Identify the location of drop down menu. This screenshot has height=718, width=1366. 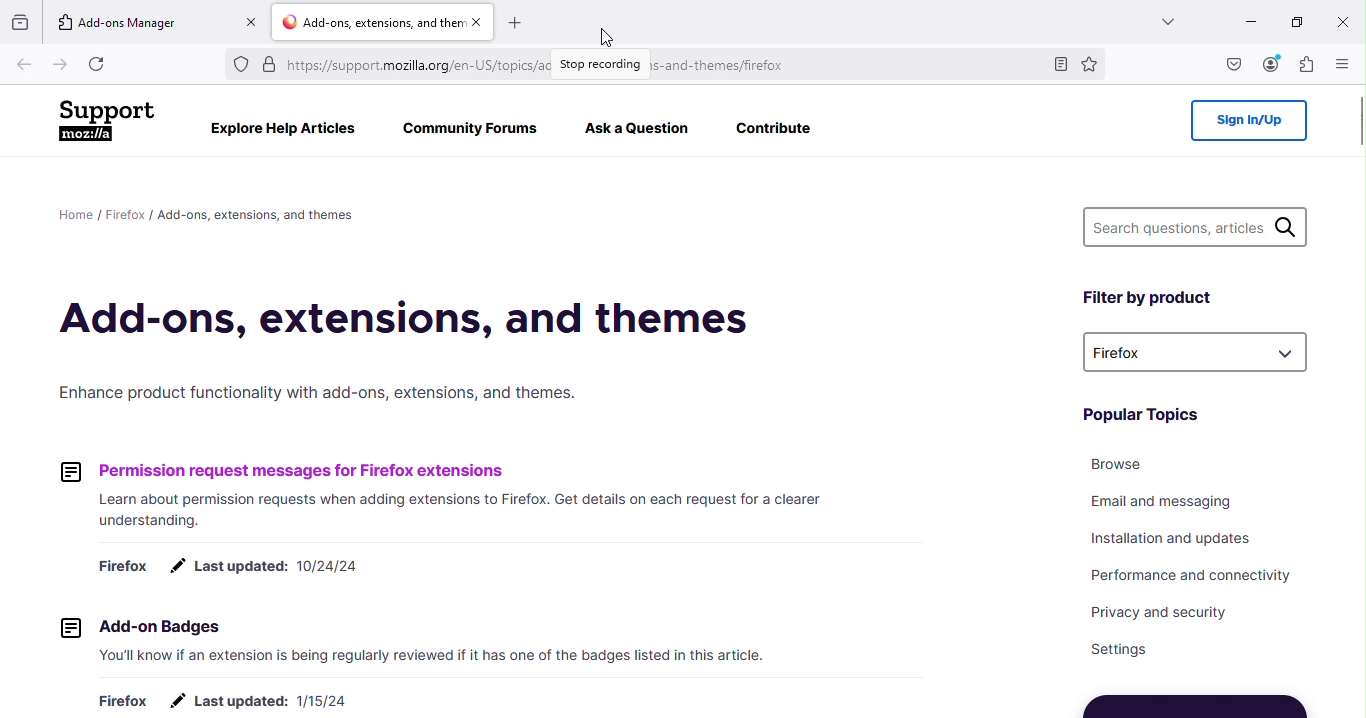
(1195, 351).